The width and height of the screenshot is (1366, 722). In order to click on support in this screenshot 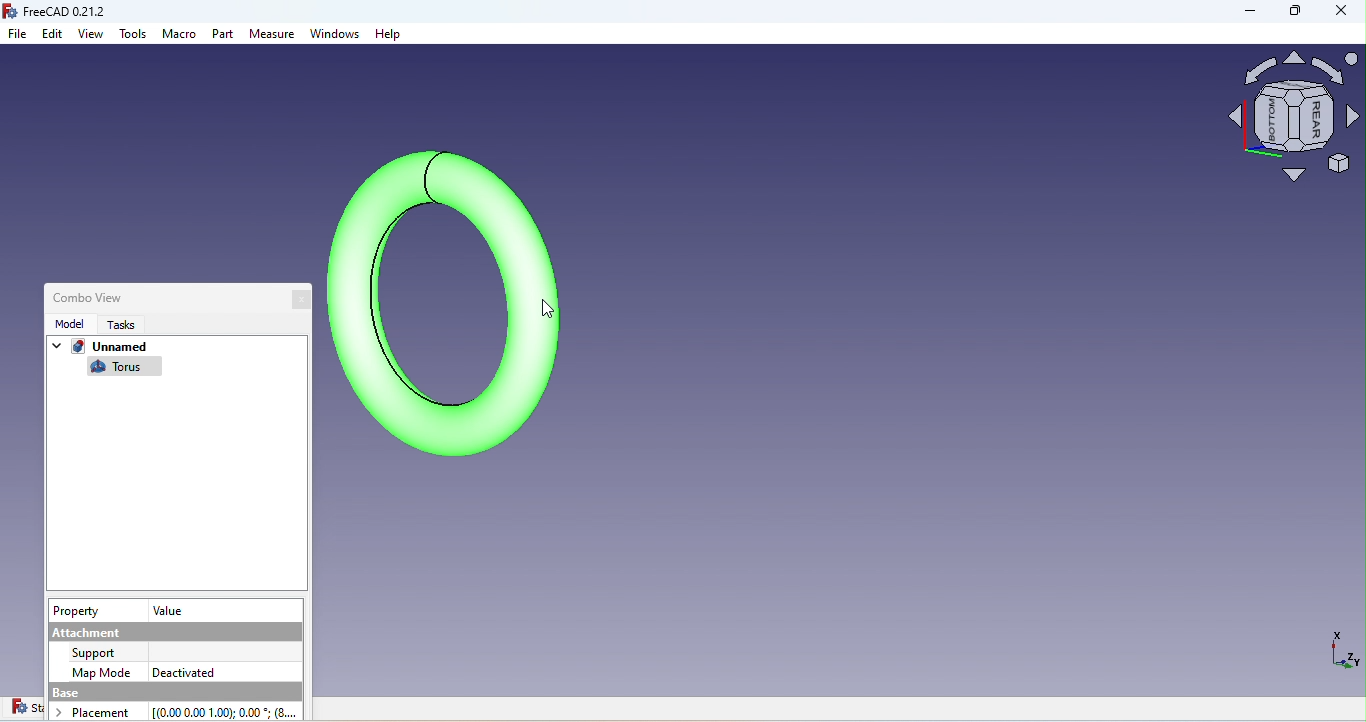, I will do `click(98, 652)`.